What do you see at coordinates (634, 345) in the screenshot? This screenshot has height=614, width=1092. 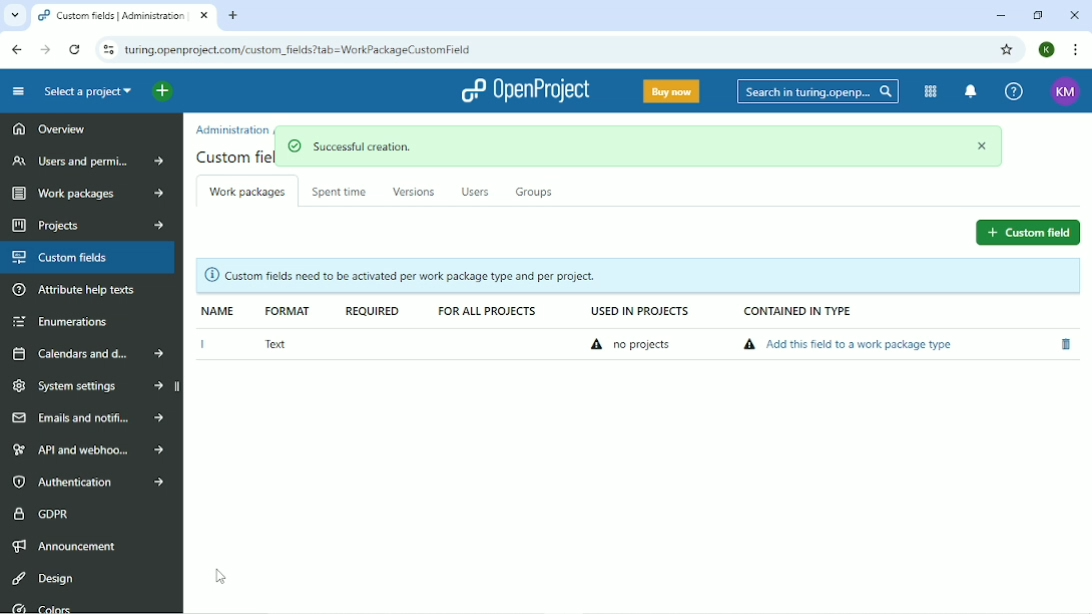 I see `no projects` at bounding box center [634, 345].